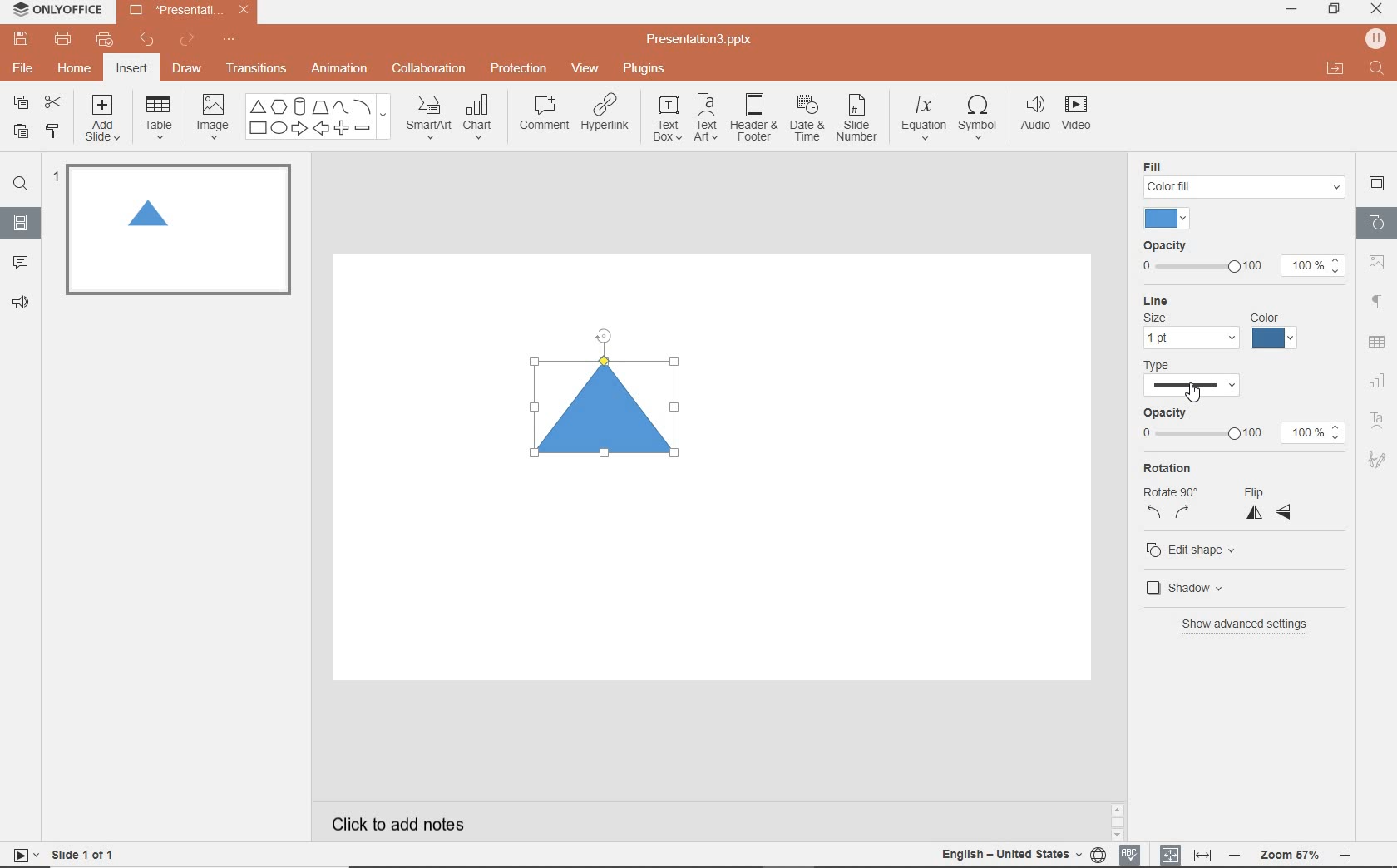 This screenshot has height=868, width=1397. What do you see at coordinates (1024, 854) in the screenshot?
I see `TEXT LANGUAGE` at bounding box center [1024, 854].